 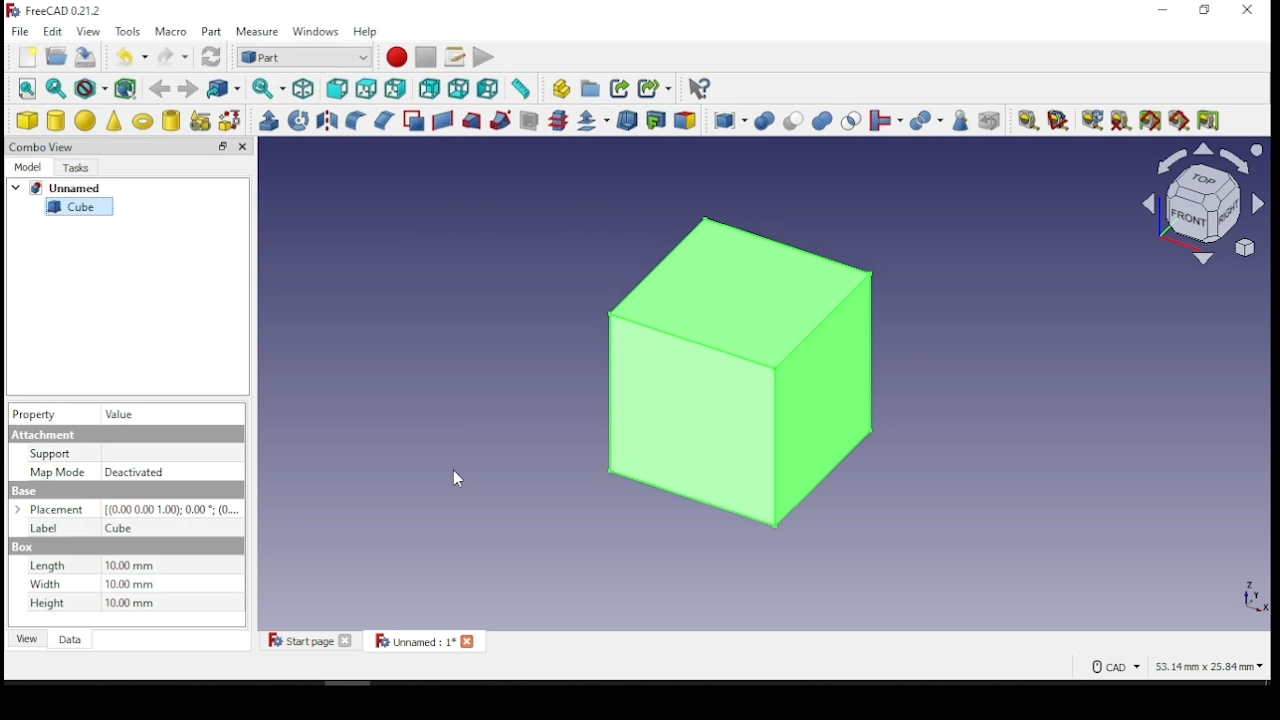 What do you see at coordinates (621, 90) in the screenshot?
I see `make link` at bounding box center [621, 90].